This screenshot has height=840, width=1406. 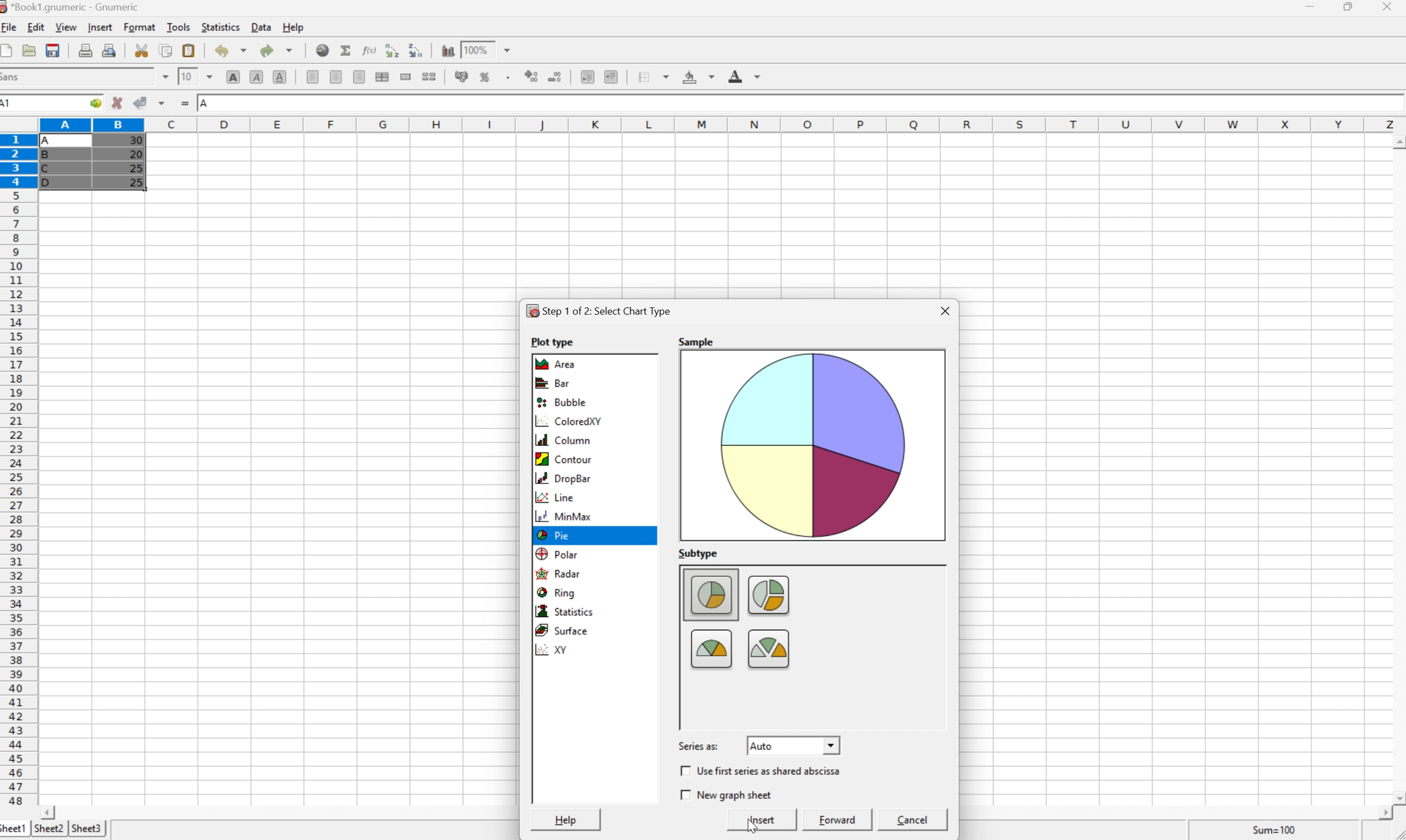 What do you see at coordinates (532, 78) in the screenshot?
I see `Increase number of decimals displayed` at bounding box center [532, 78].